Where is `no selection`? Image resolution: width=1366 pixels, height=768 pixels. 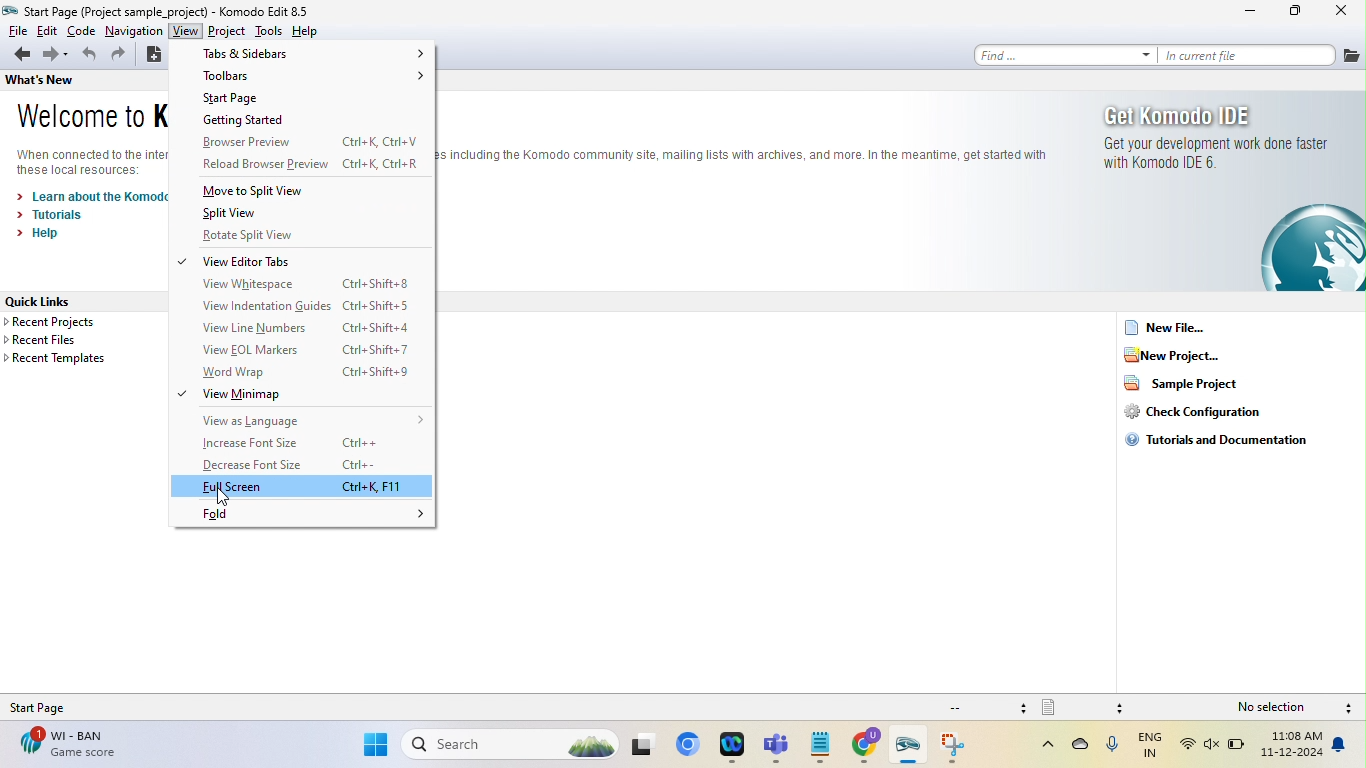
no selection is located at coordinates (1276, 708).